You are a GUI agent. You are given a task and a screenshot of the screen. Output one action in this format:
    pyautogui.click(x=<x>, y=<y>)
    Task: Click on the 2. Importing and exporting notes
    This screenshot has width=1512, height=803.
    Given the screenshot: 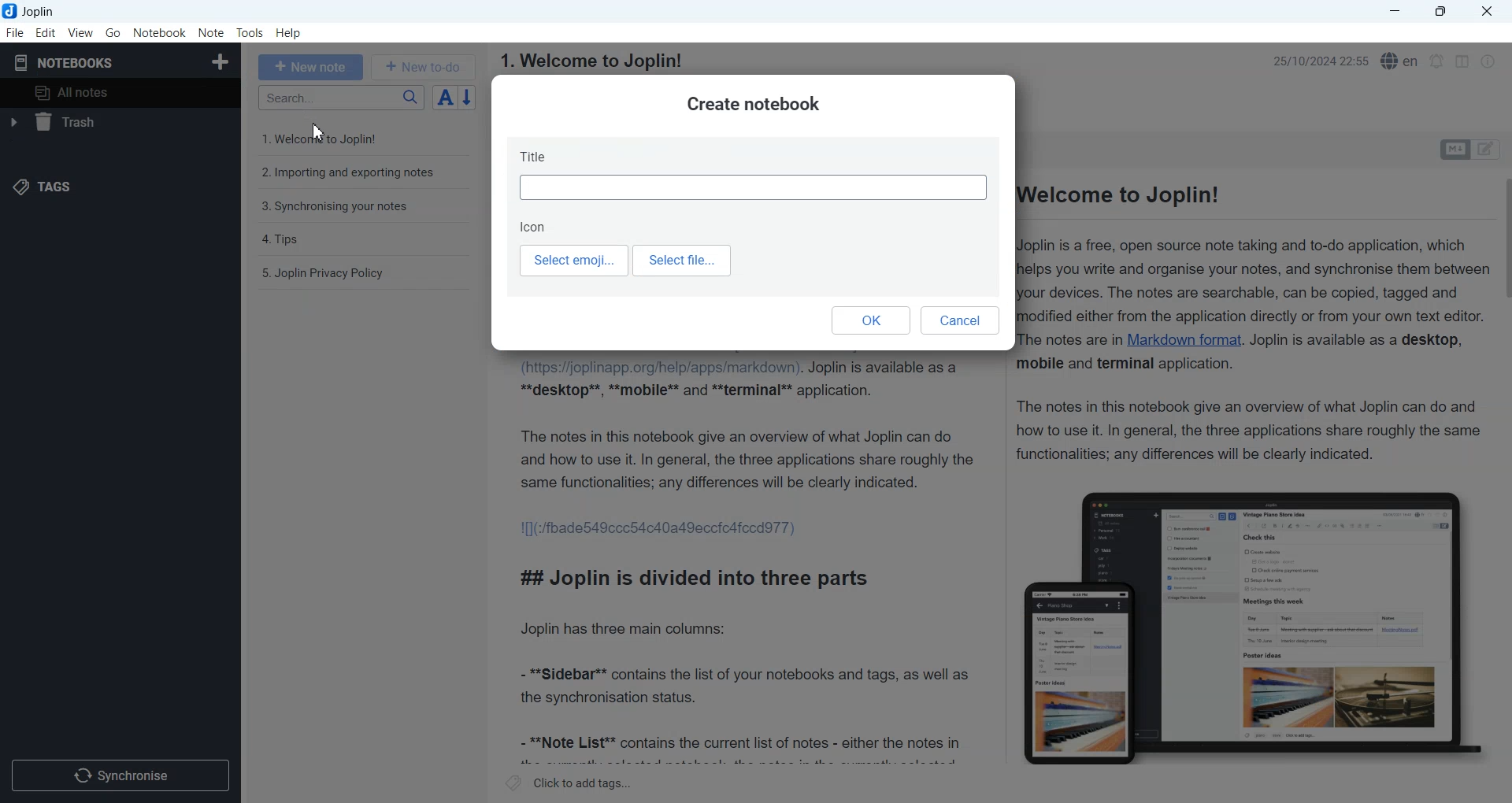 What is the action you would take?
    pyautogui.click(x=350, y=175)
    